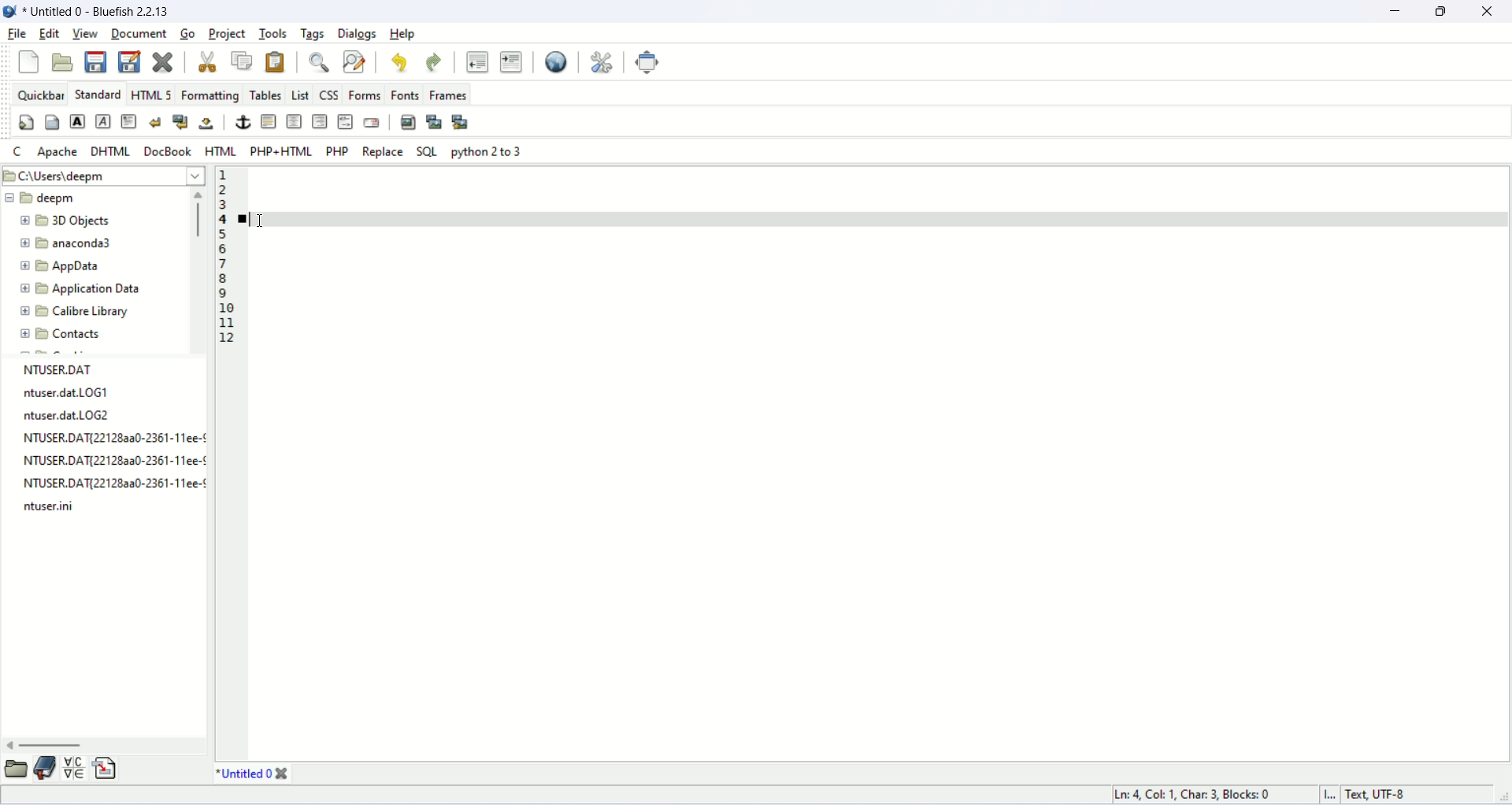 The height and width of the screenshot is (805, 1512). I want to click on cut, so click(207, 61).